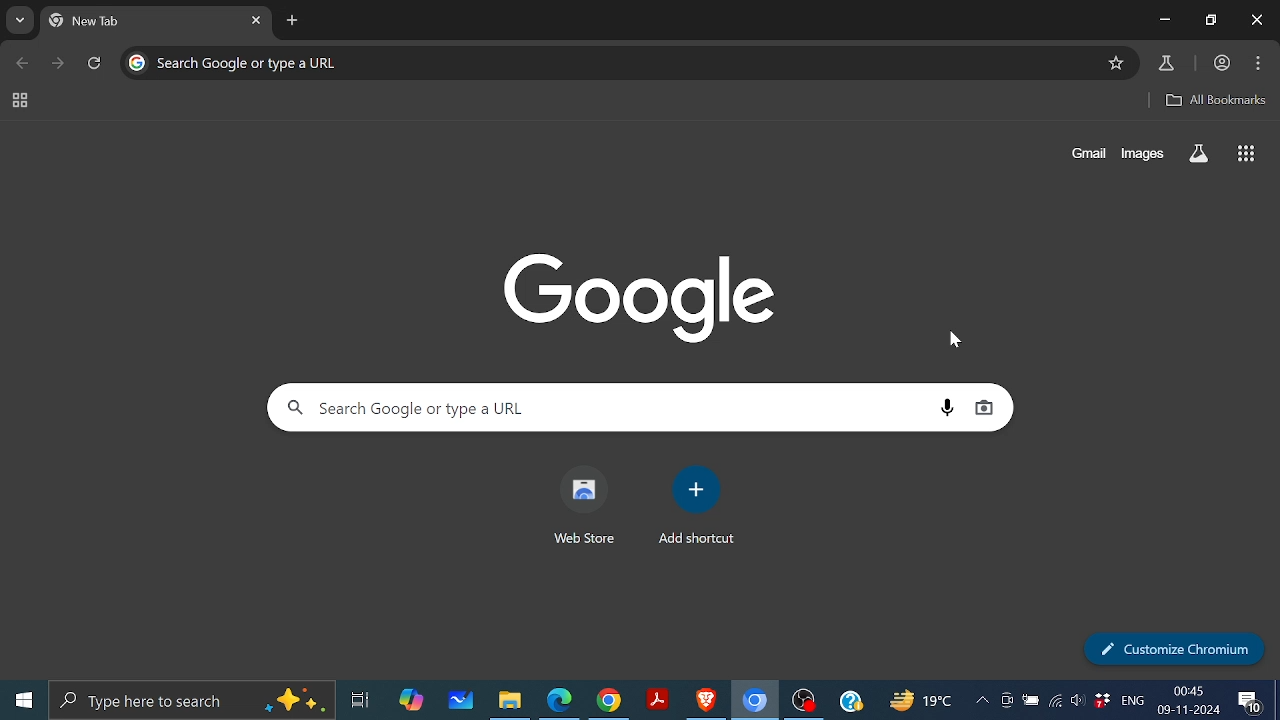 Image resolution: width=1280 pixels, height=720 pixels. I want to click on Start, so click(25, 699).